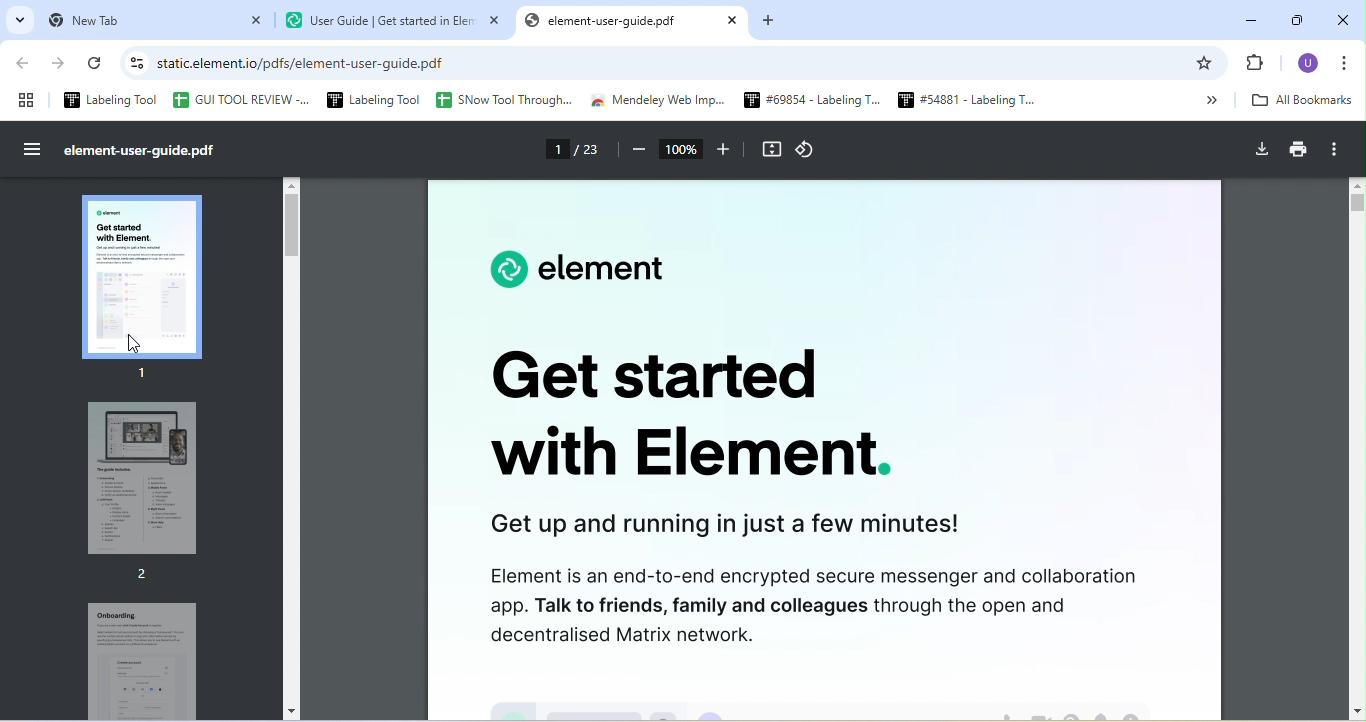  I want to click on download, so click(1260, 150).